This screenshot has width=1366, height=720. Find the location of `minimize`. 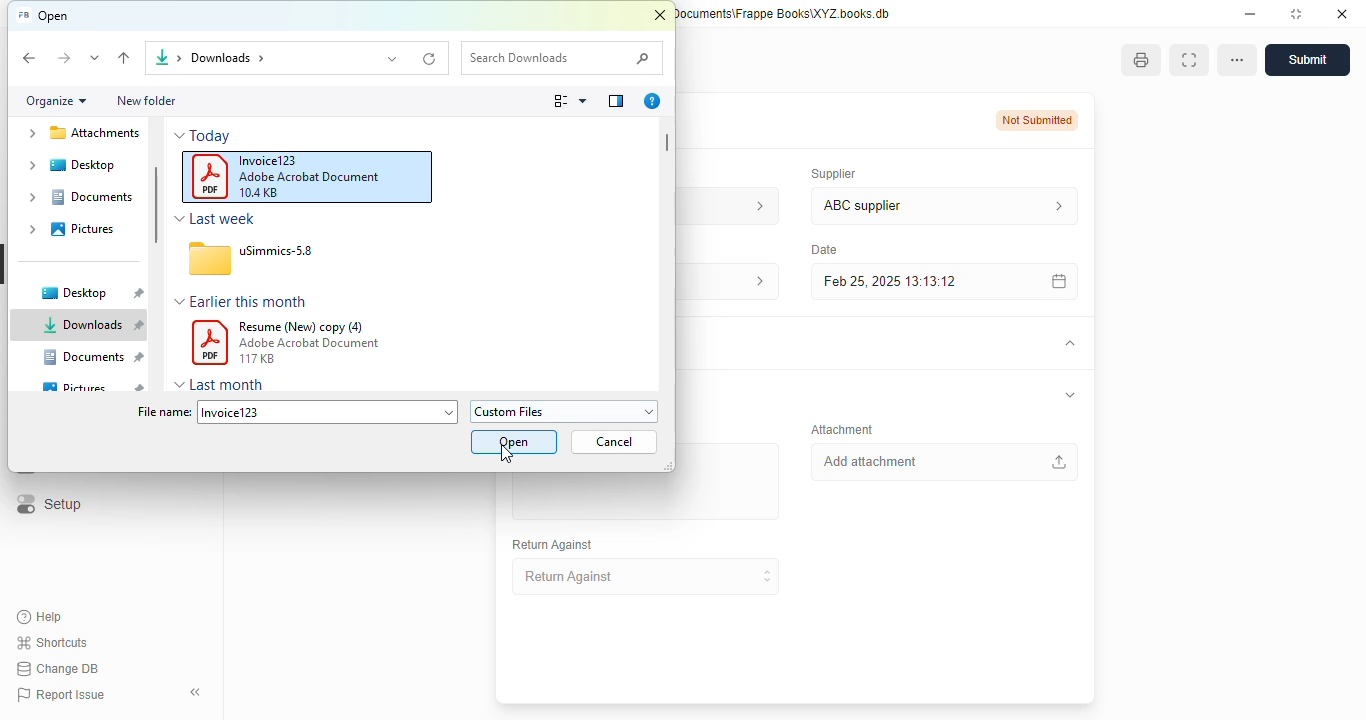

minimize is located at coordinates (1250, 13).